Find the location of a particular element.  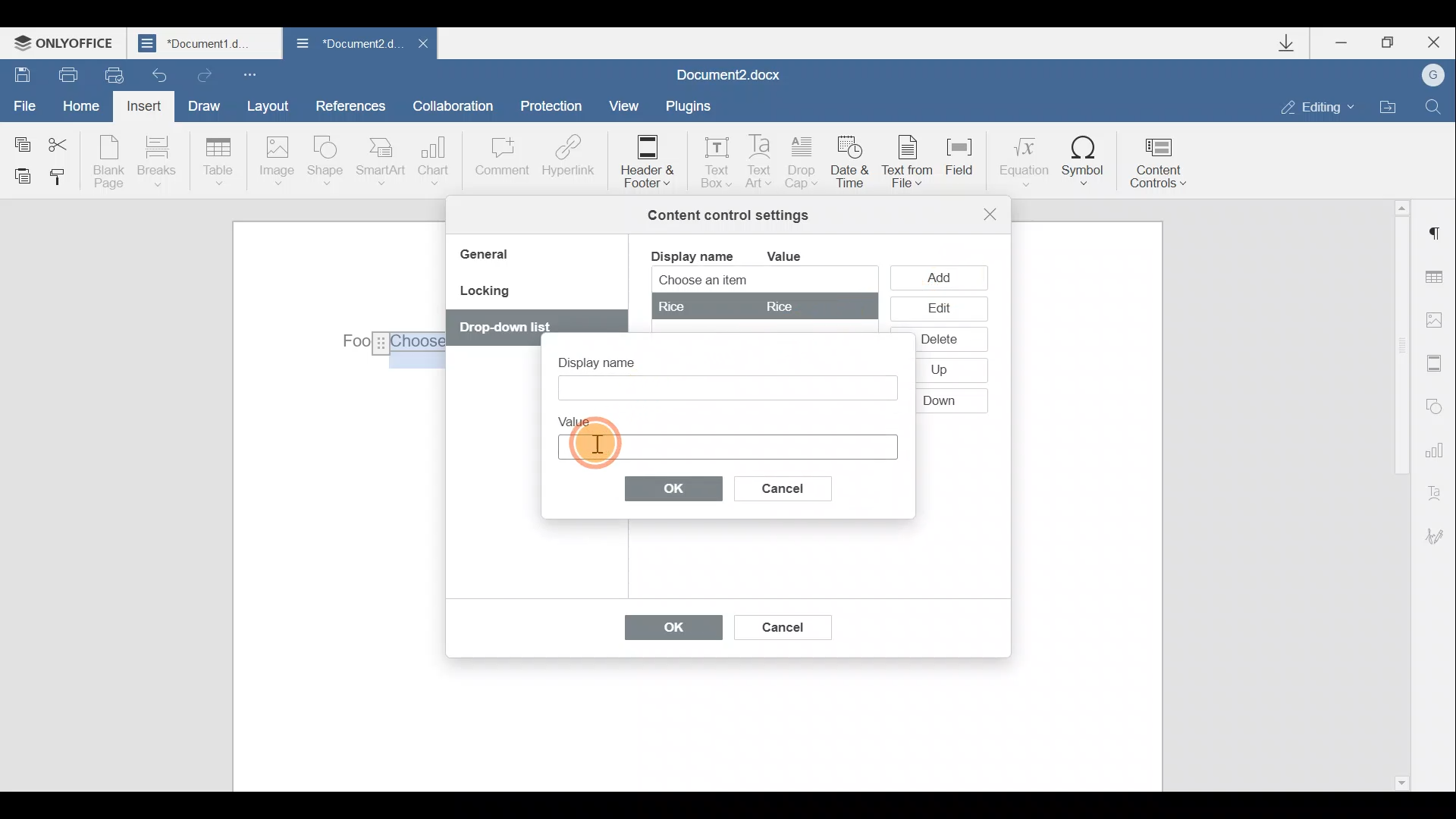

 is located at coordinates (941, 338).